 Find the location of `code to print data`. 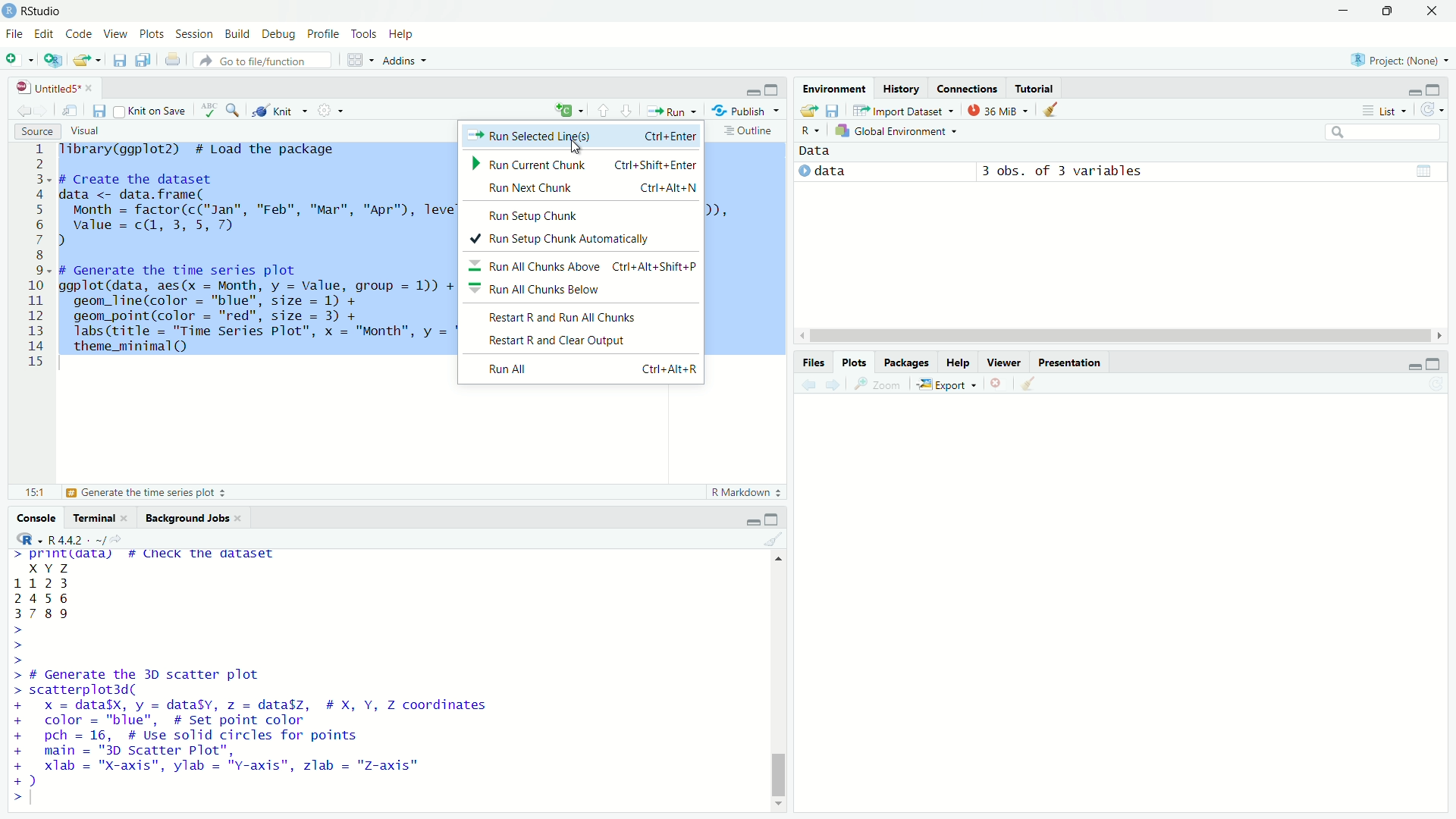

code to print data is located at coordinates (149, 556).